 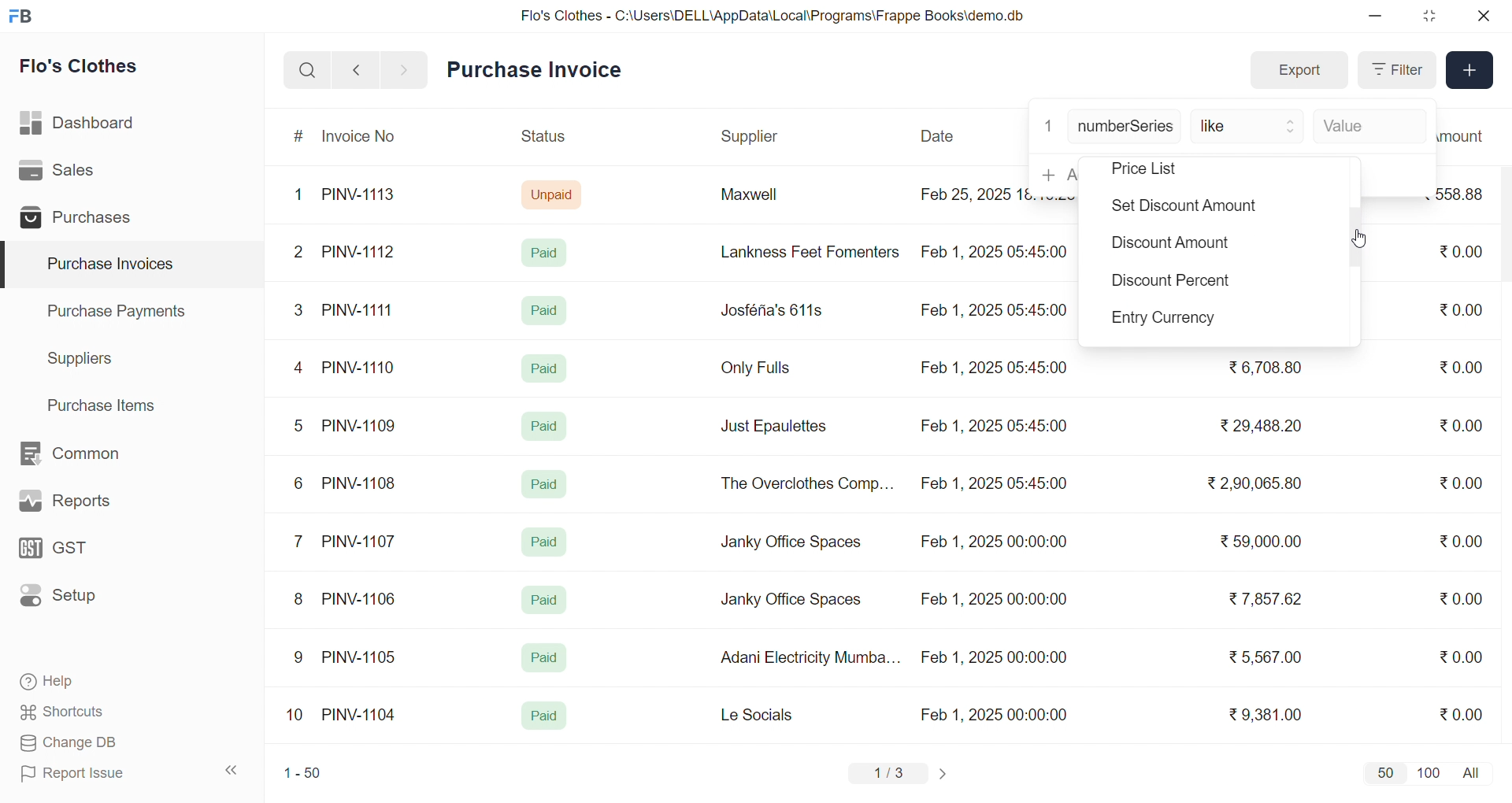 I want to click on Unpaid, so click(x=554, y=194).